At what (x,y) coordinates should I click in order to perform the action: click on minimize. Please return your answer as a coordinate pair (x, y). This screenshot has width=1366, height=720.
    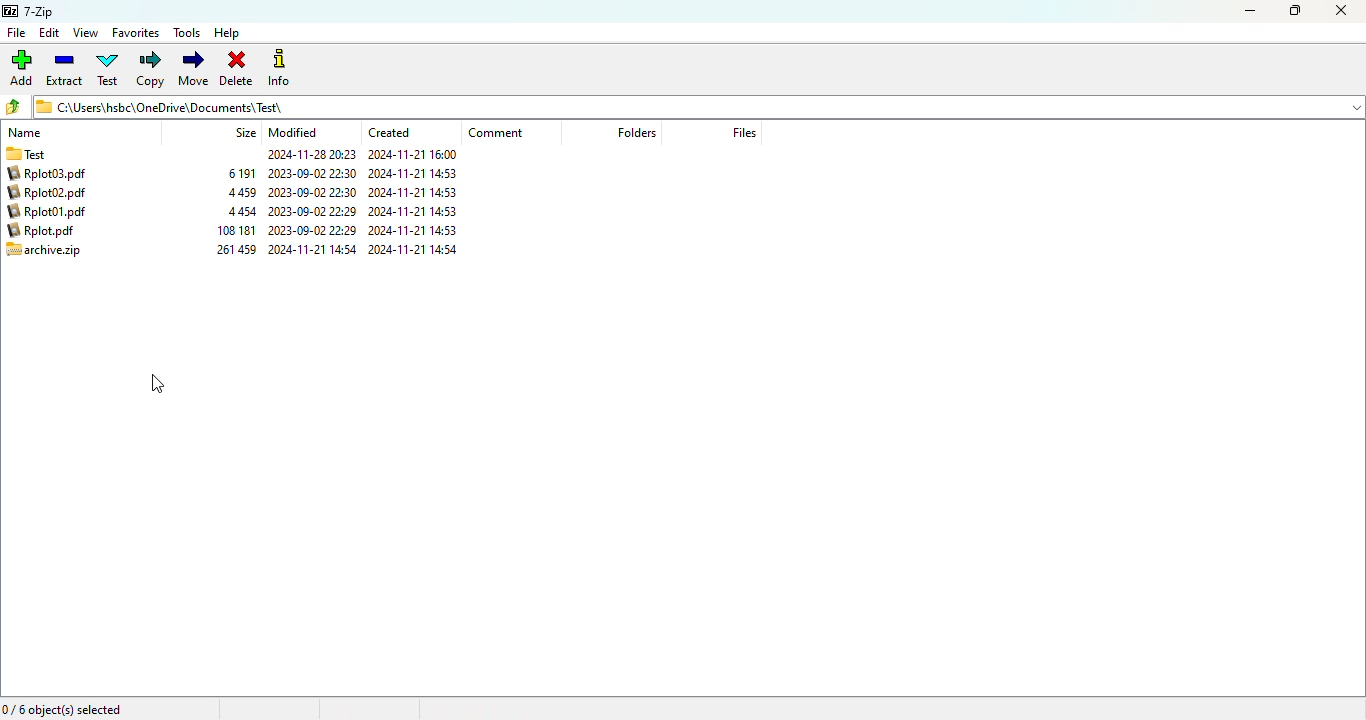
    Looking at the image, I should click on (1251, 11).